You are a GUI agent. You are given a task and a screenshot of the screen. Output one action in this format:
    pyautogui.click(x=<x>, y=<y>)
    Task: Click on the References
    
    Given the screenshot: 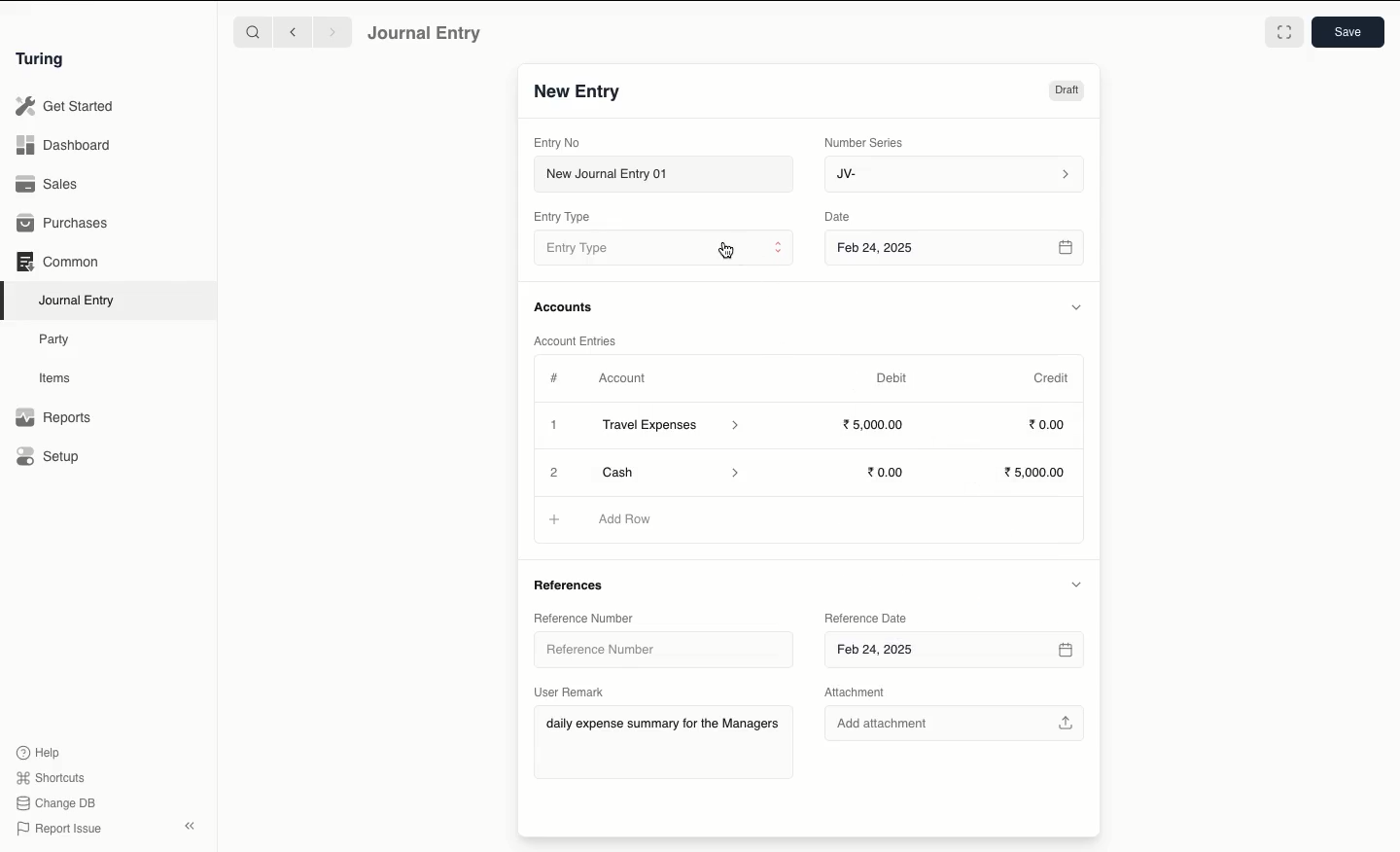 What is the action you would take?
    pyautogui.click(x=576, y=584)
    